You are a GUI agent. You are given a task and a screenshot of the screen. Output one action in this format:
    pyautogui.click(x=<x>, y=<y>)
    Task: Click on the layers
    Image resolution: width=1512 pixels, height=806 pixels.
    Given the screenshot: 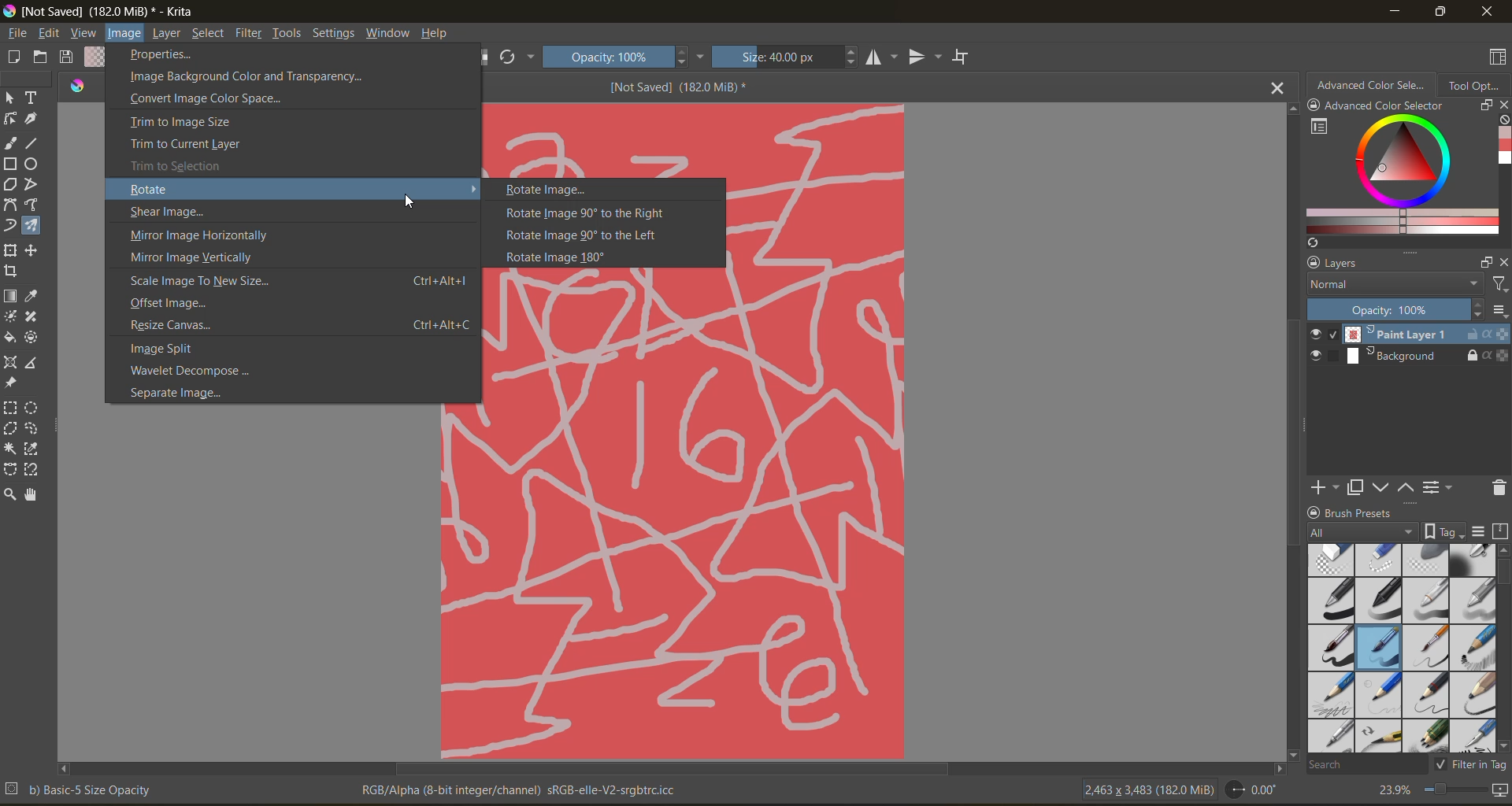 What is the action you would take?
    pyautogui.click(x=1426, y=346)
    